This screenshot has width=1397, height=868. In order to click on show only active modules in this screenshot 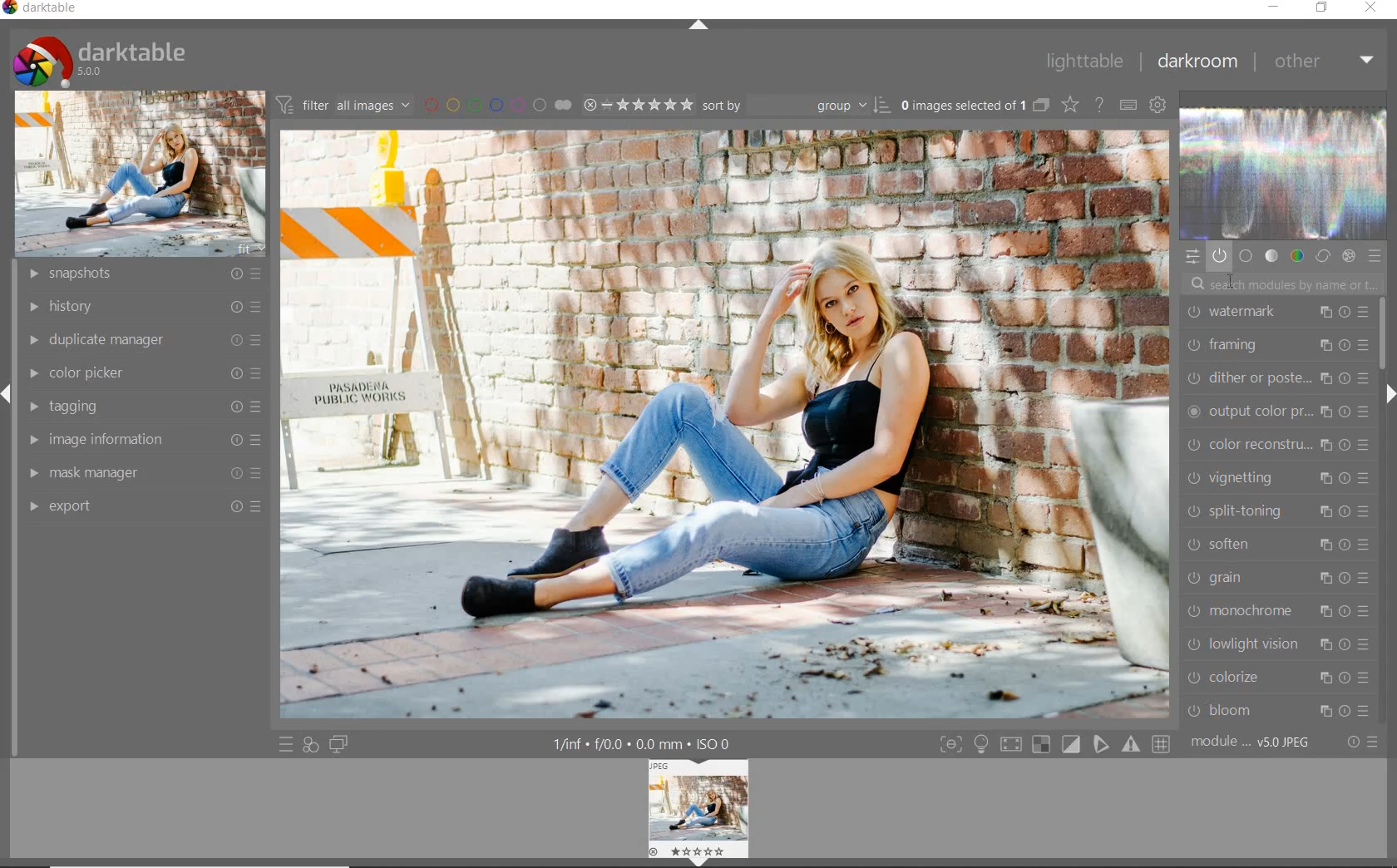, I will do `click(1220, 254)`.